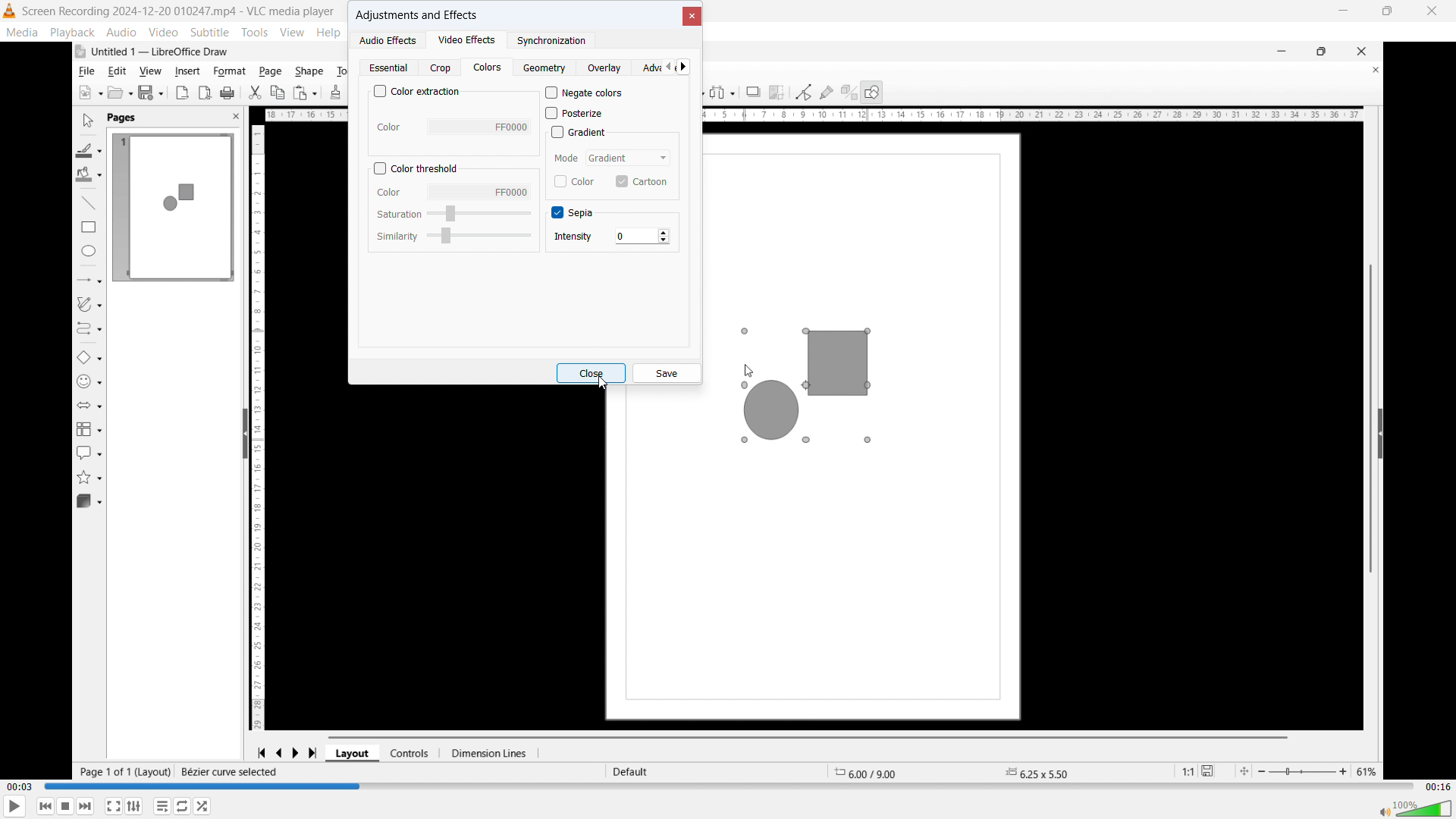 This screenshot has height=819, width=1456. What do you see at coordinates (479, 235) in the screenshot?
I see `Select similarity ` at bounding box center [479, 235].